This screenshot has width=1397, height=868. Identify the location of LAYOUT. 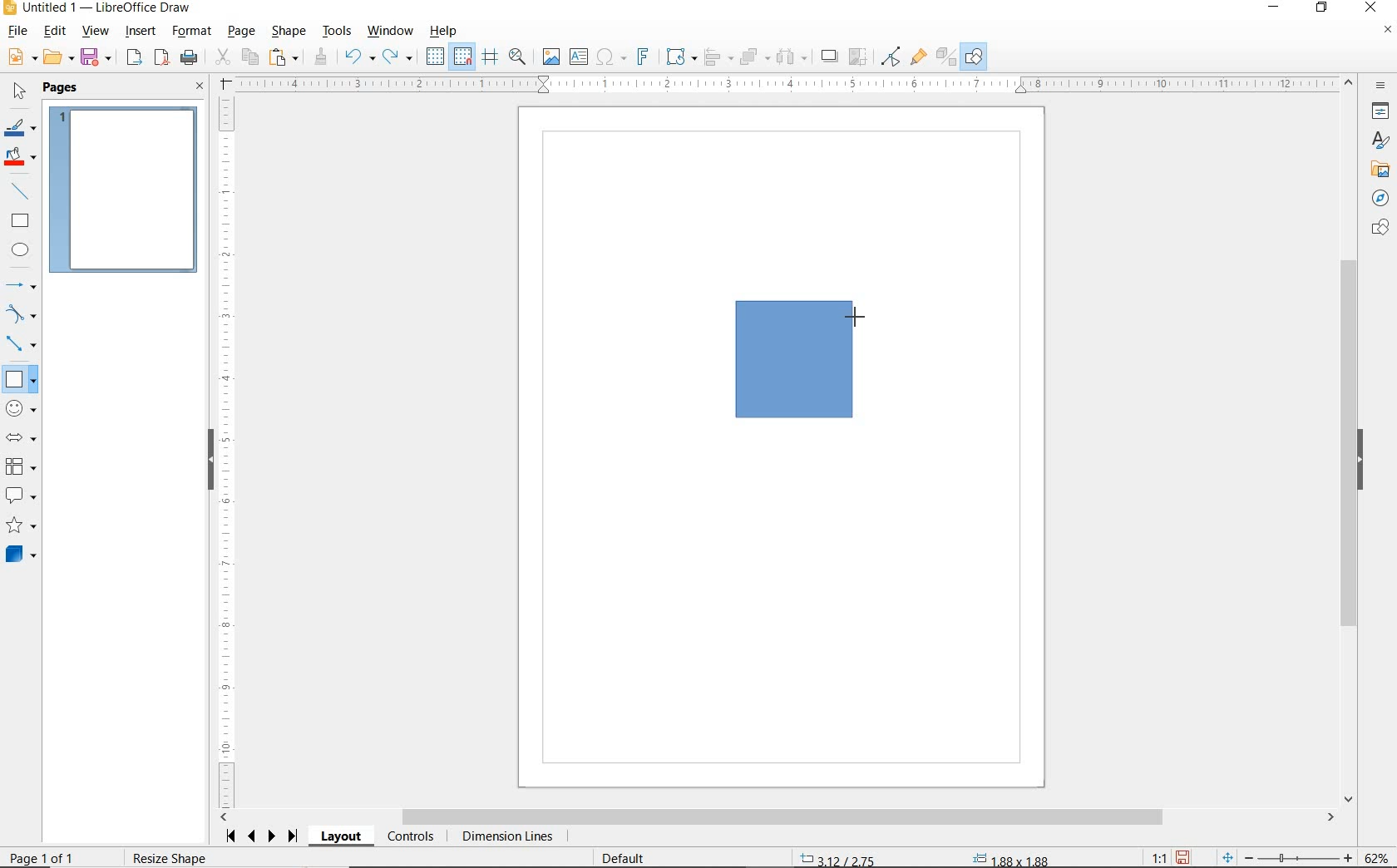
(343, 836).